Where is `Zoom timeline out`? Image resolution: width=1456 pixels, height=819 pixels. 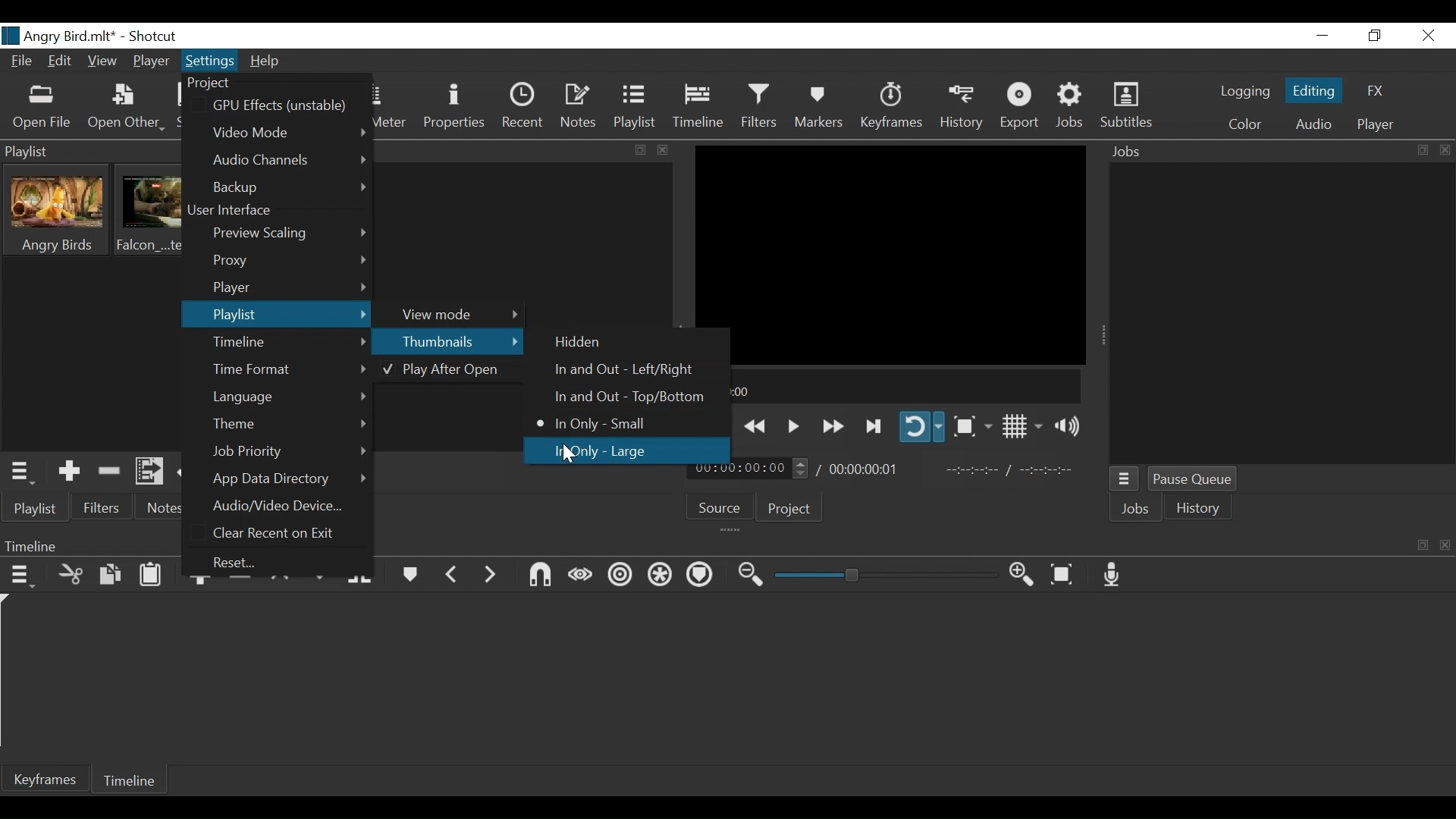 Zoom timeline out is located at coordinates (750, 578).